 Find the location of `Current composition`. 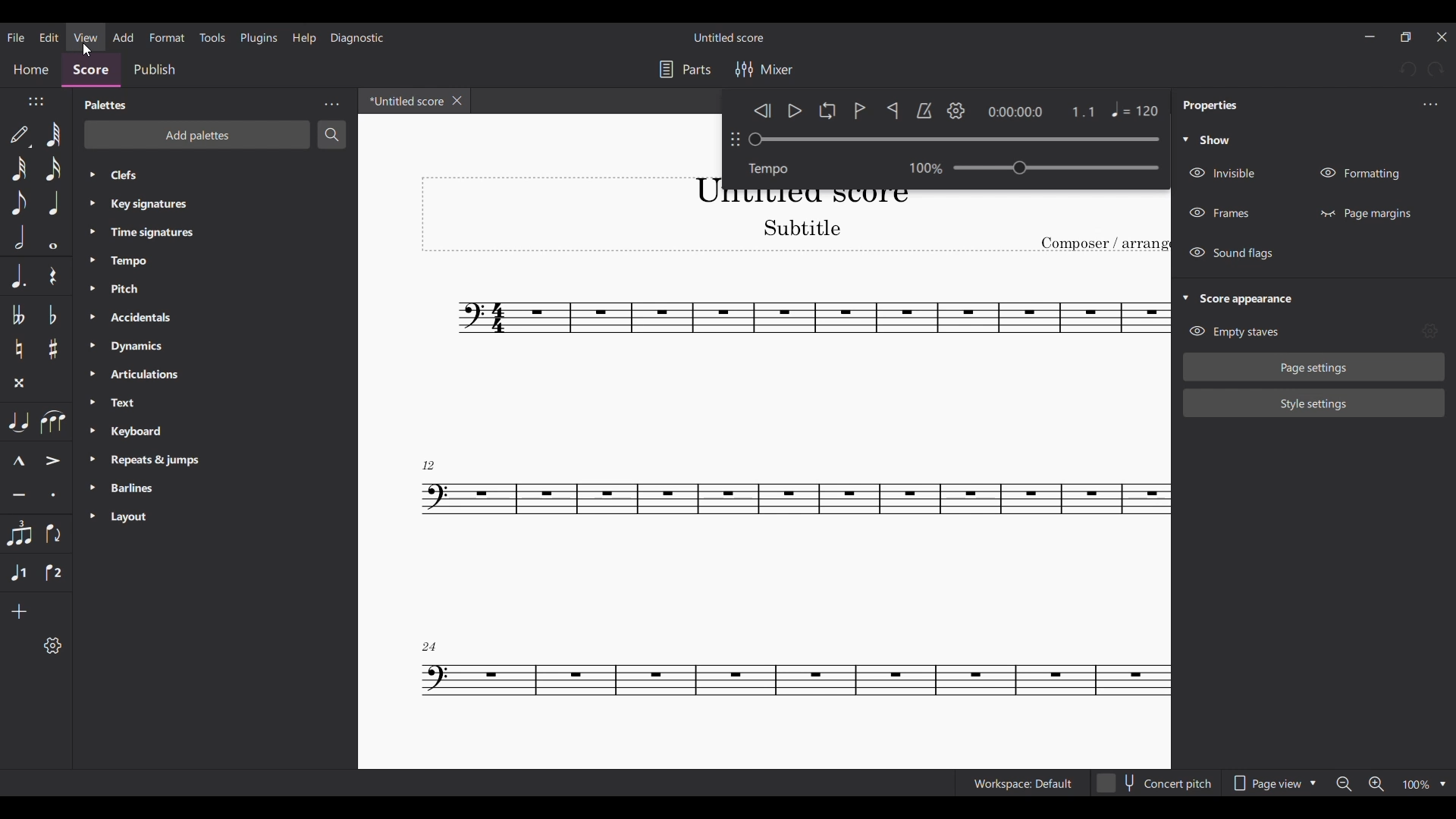

Current composition is located at coordinates (795, 504).